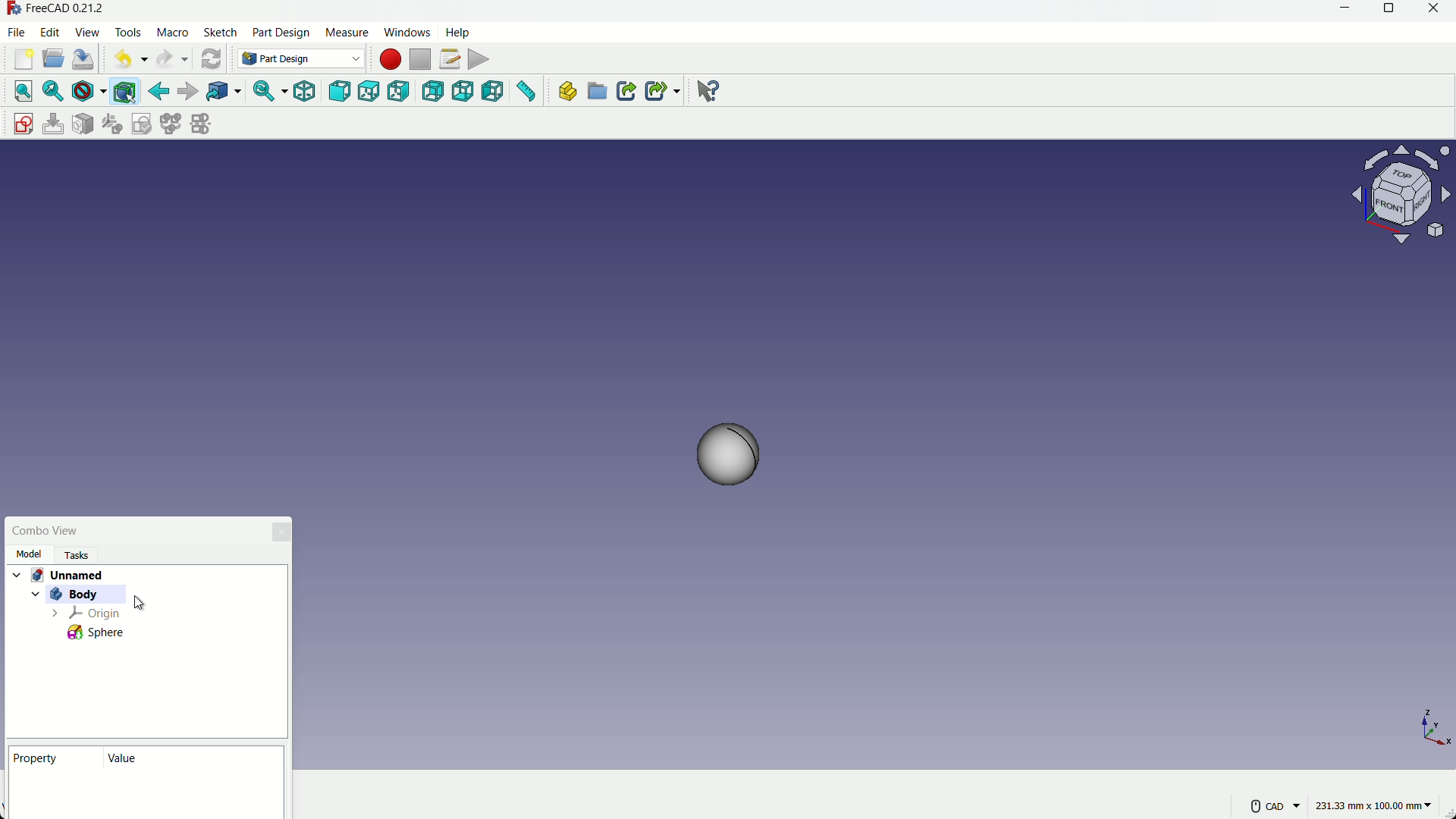 The height and width of the screenshot is (819, 1456). I want to click on back, so click(158, 91).